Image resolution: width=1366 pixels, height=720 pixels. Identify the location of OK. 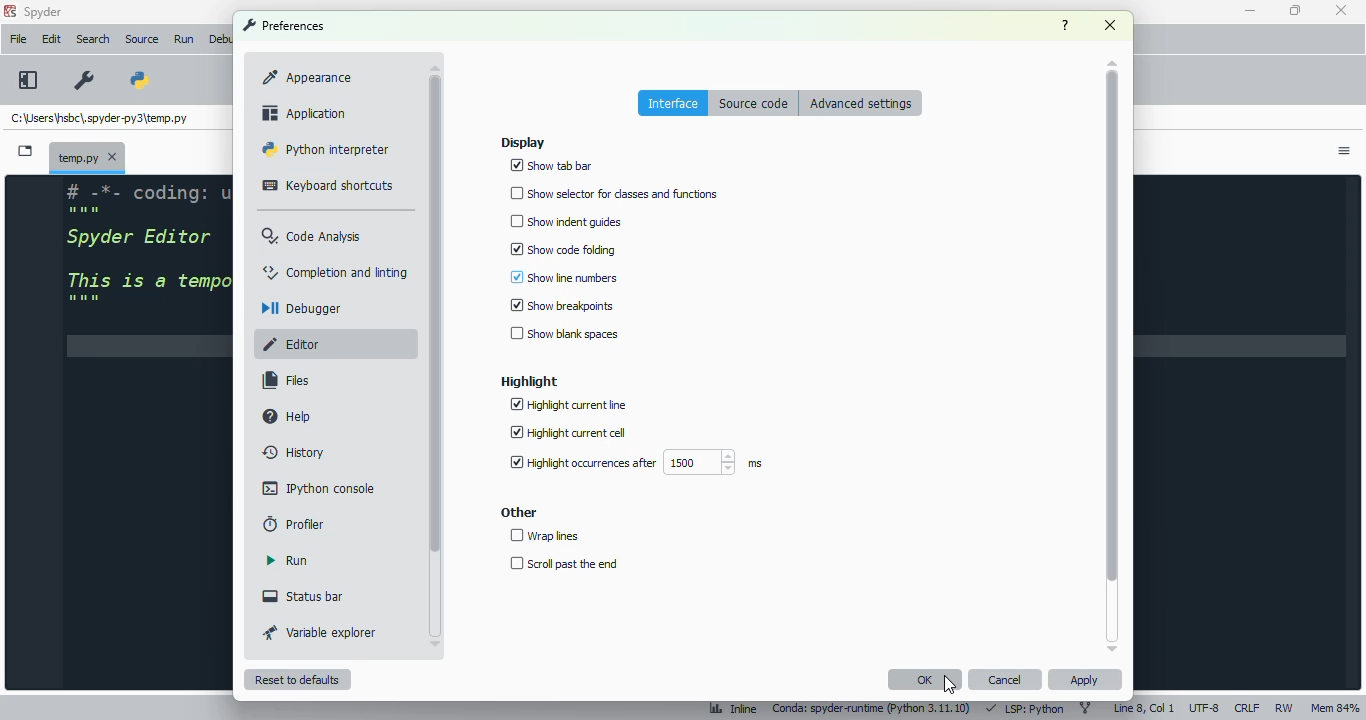
(925, 680).